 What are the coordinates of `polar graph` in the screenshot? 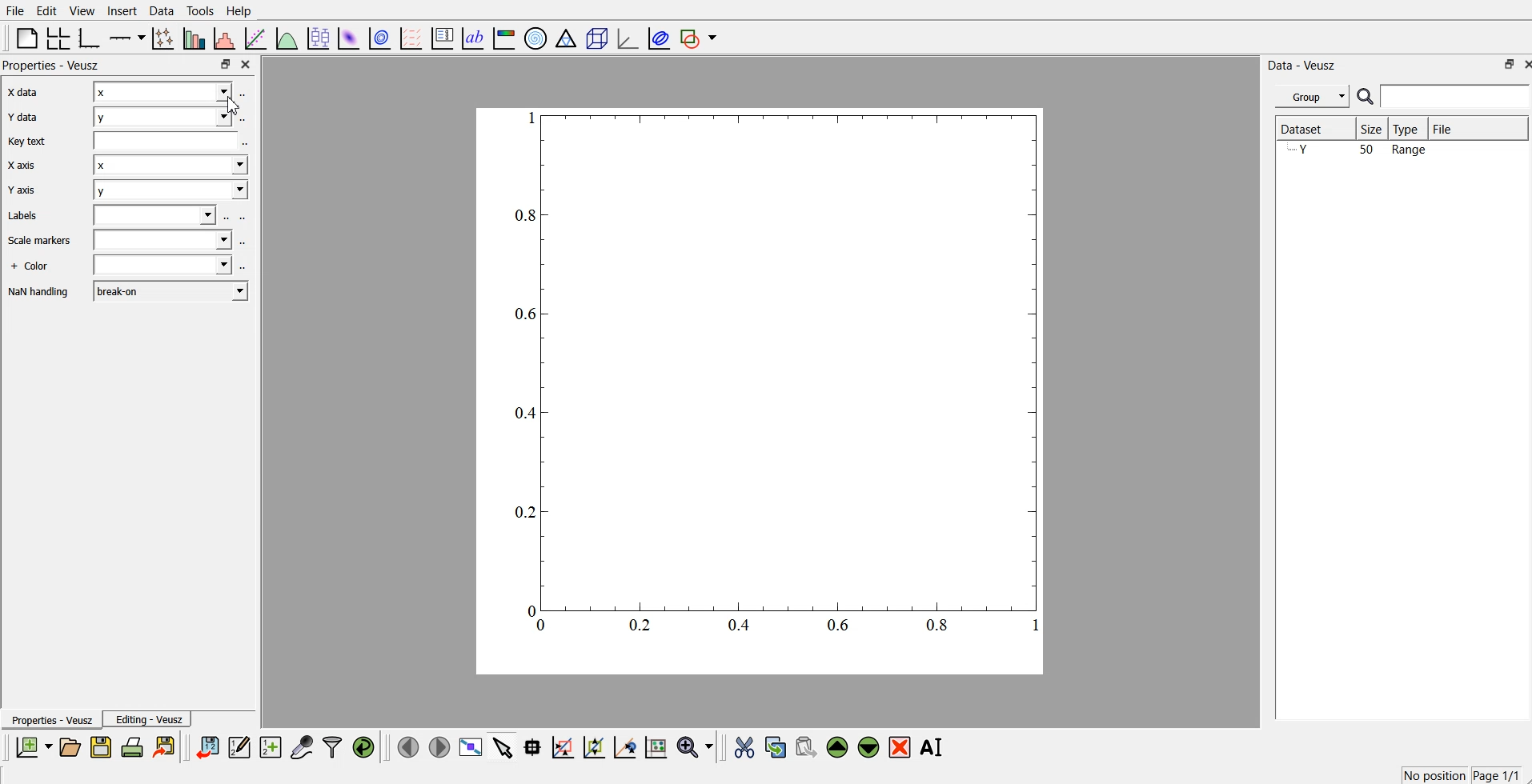 It's located at (536, 37).